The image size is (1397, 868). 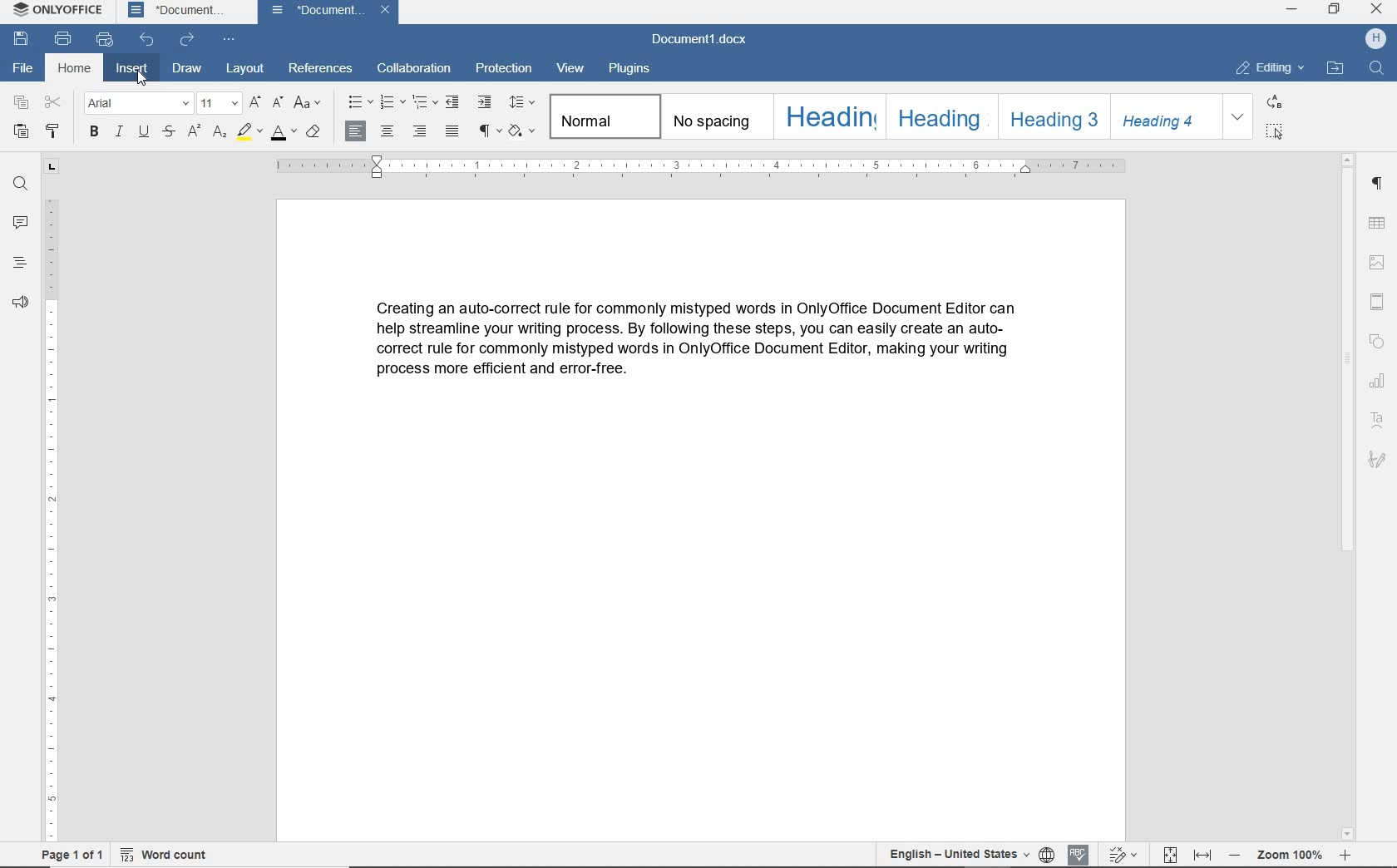 What do you see at coordinates (20, 104) in the screenshot?
I see `copy` at bounding box center [20, 104].